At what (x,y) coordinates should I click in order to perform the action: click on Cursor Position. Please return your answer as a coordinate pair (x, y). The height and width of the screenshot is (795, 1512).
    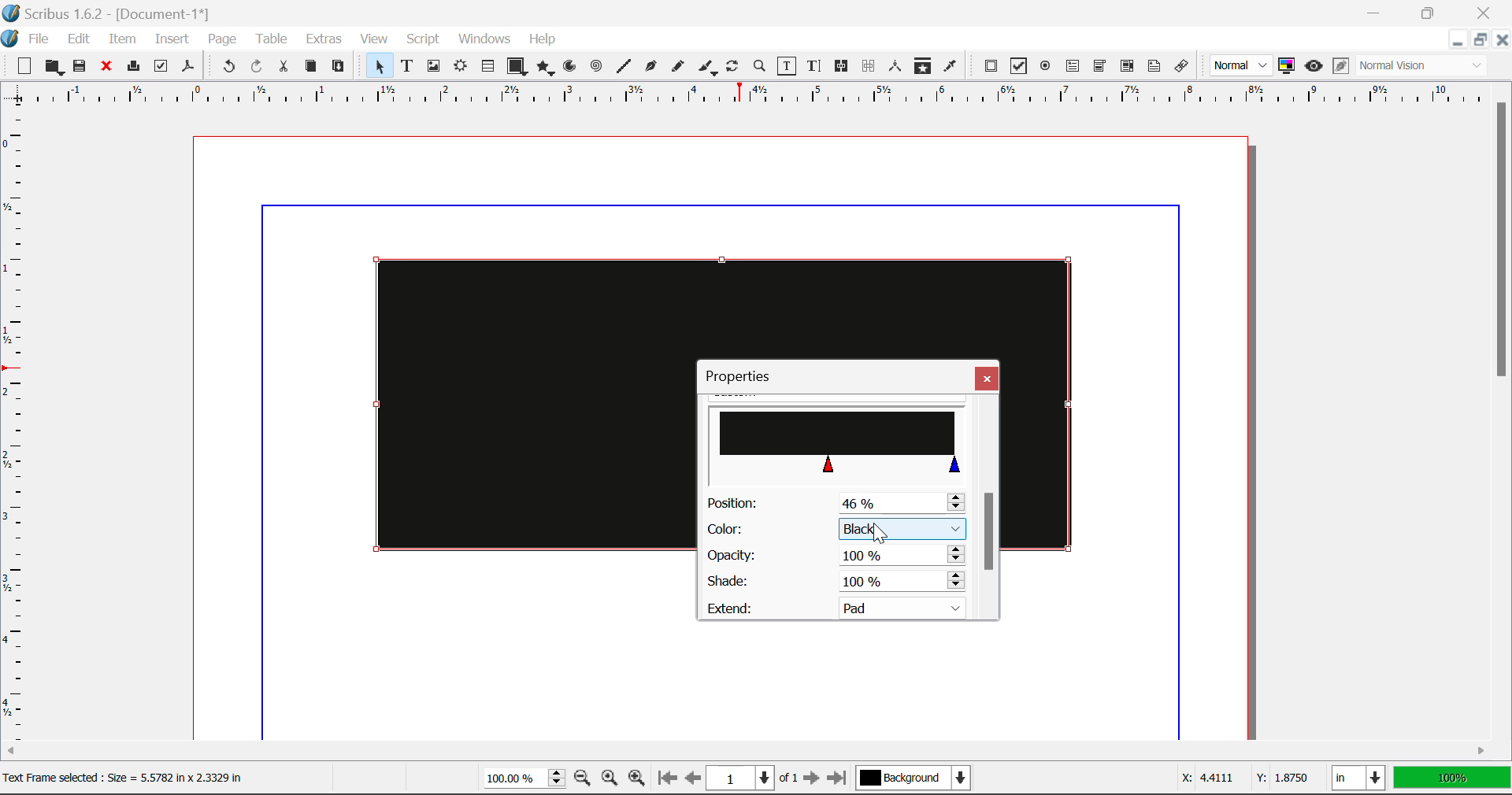
    Looking at the image, I should click on (878, 530).